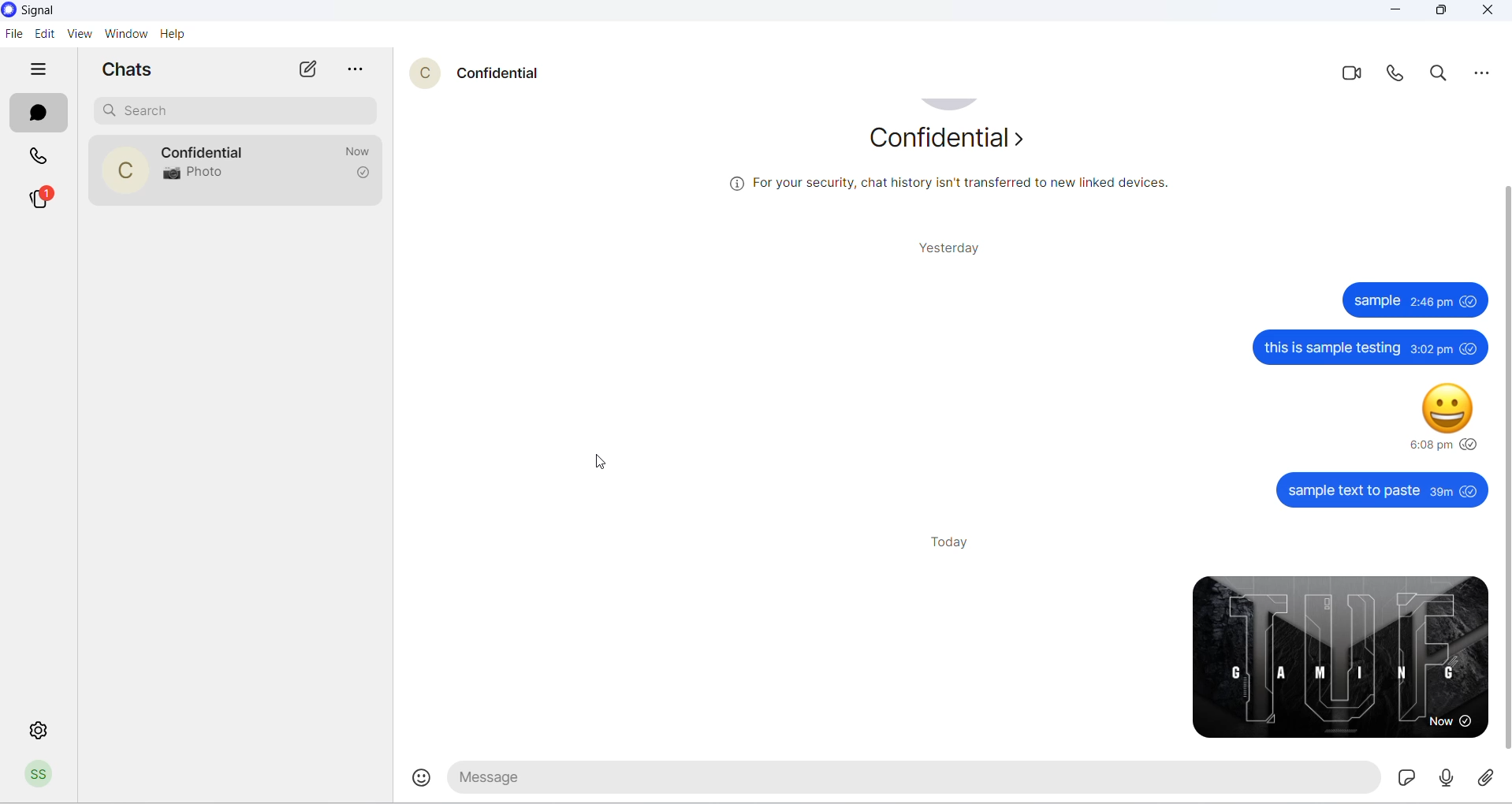  I want to click on Scroll bar, so click(1503, 467).